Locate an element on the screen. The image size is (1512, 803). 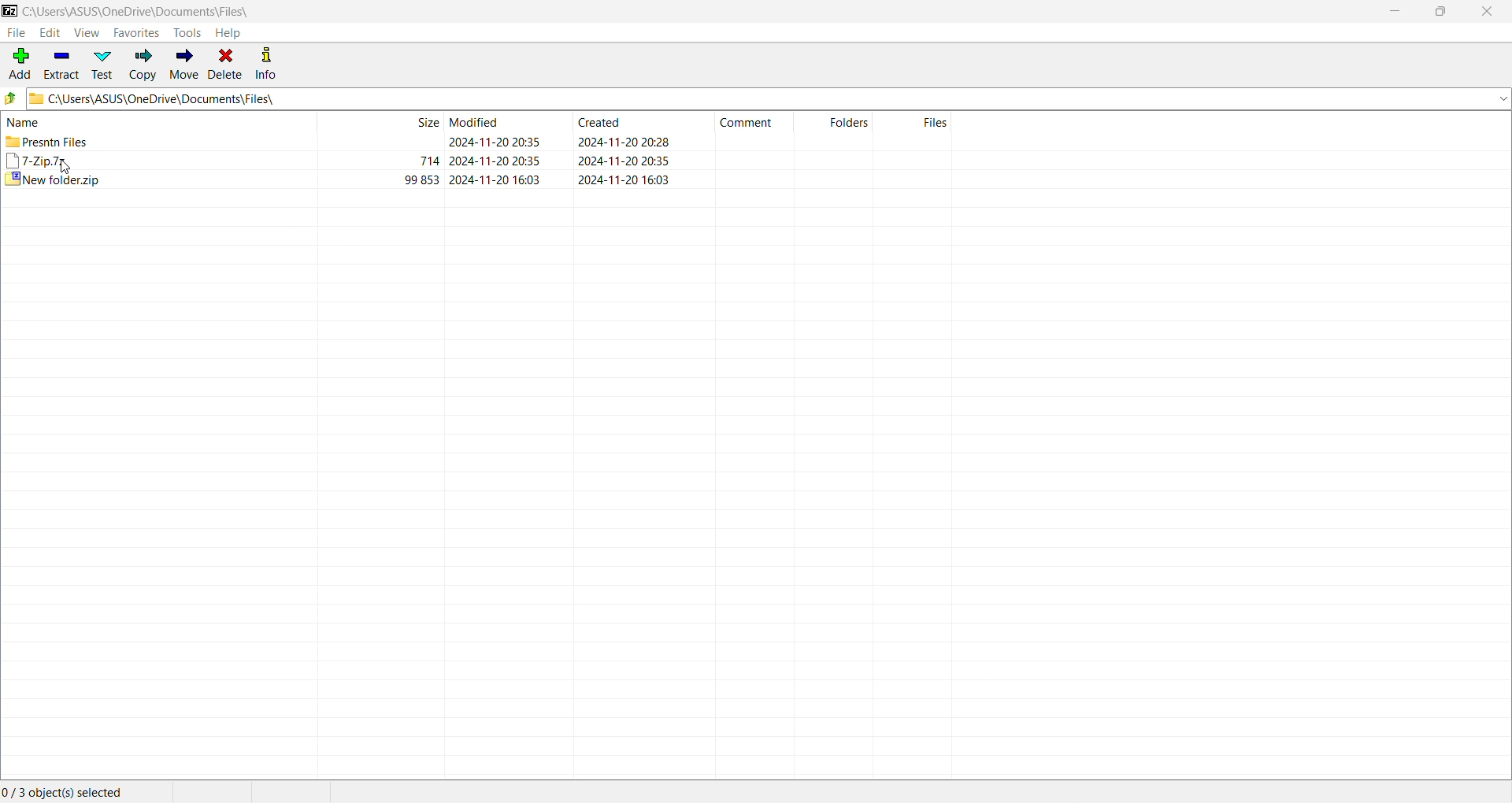
Add is located at coordinates (19, 65).